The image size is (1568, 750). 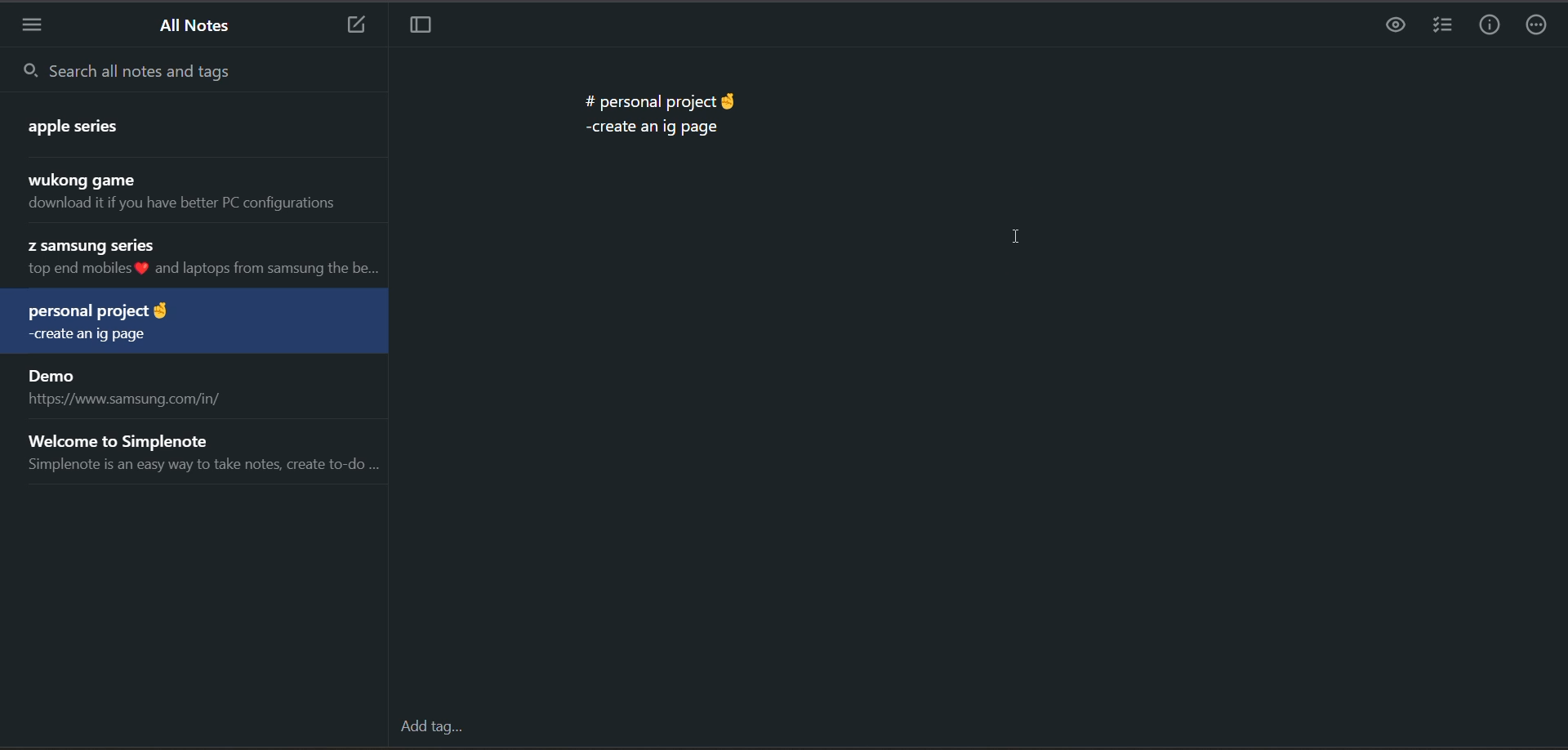 What do you see at coordinates (206, 386) in the screenshot?
I see `note title and preview sorted in reverse chronological order` at bounding box center [206, 386].